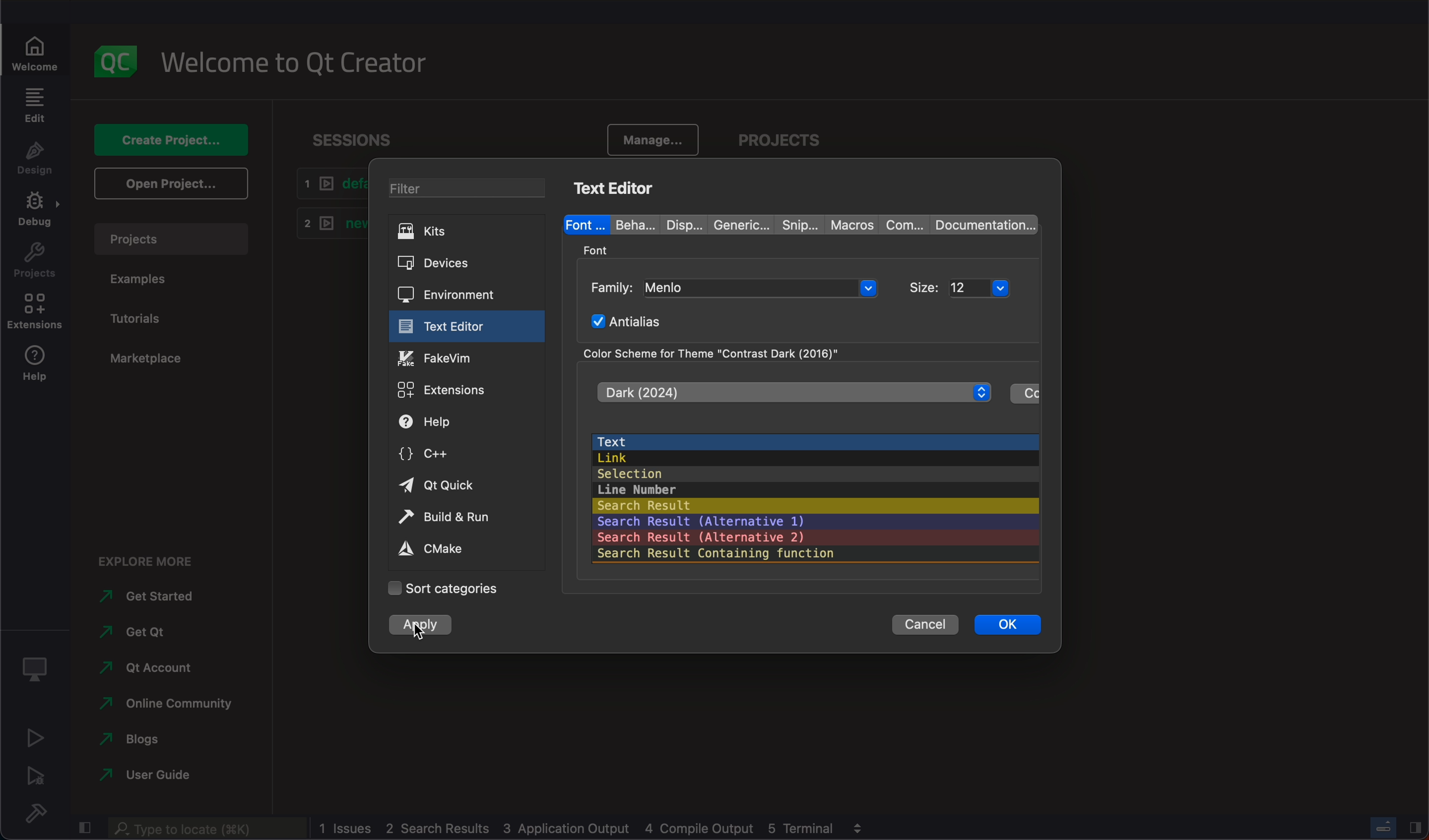 The height and width of the screenshot is (840, 1429). Describe the element at coordinates (582, 223) in the screenshot. I see `font` at that location.